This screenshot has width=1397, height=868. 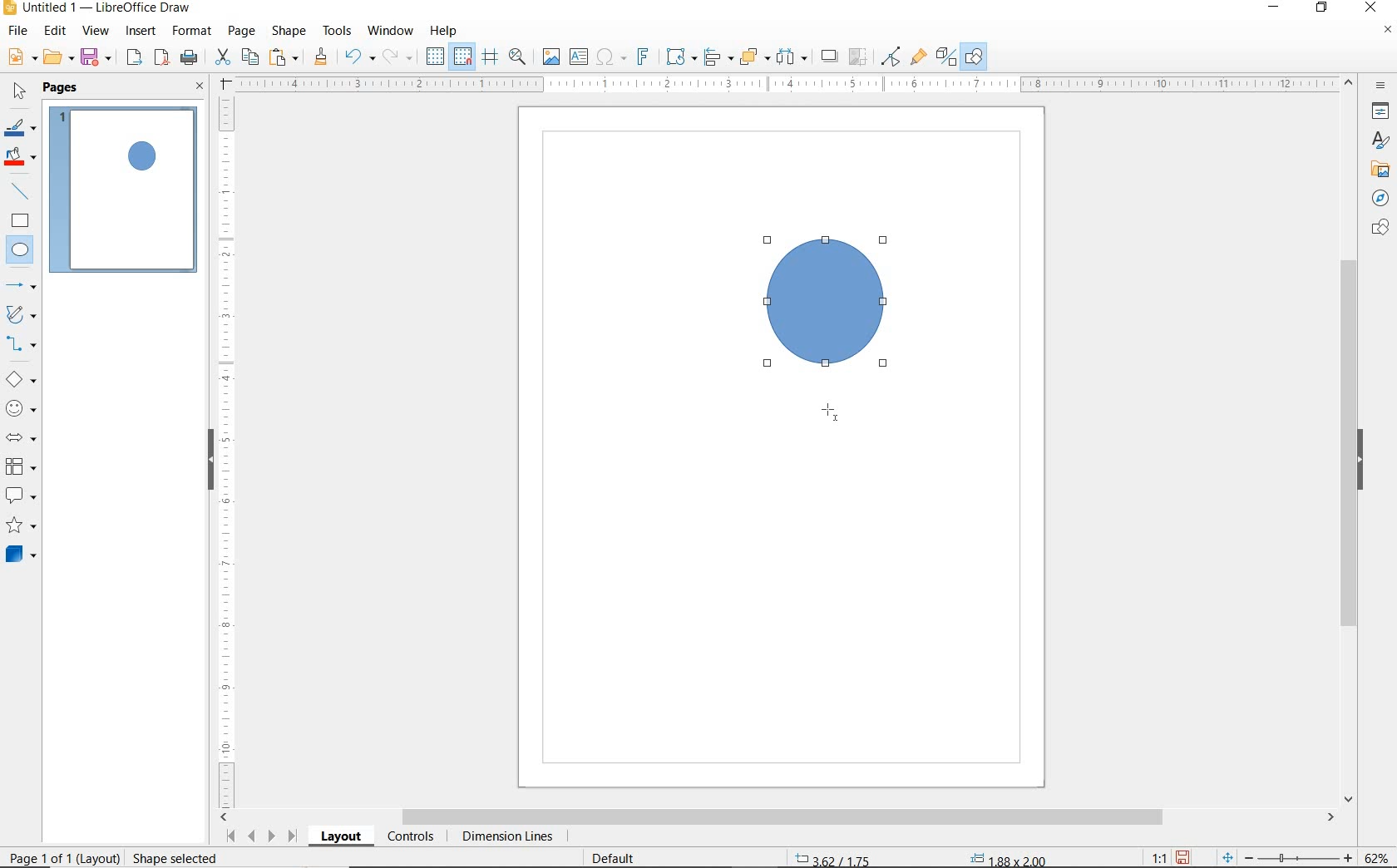 I want to click on PROPERTIES, so click(x=1383, y=114).